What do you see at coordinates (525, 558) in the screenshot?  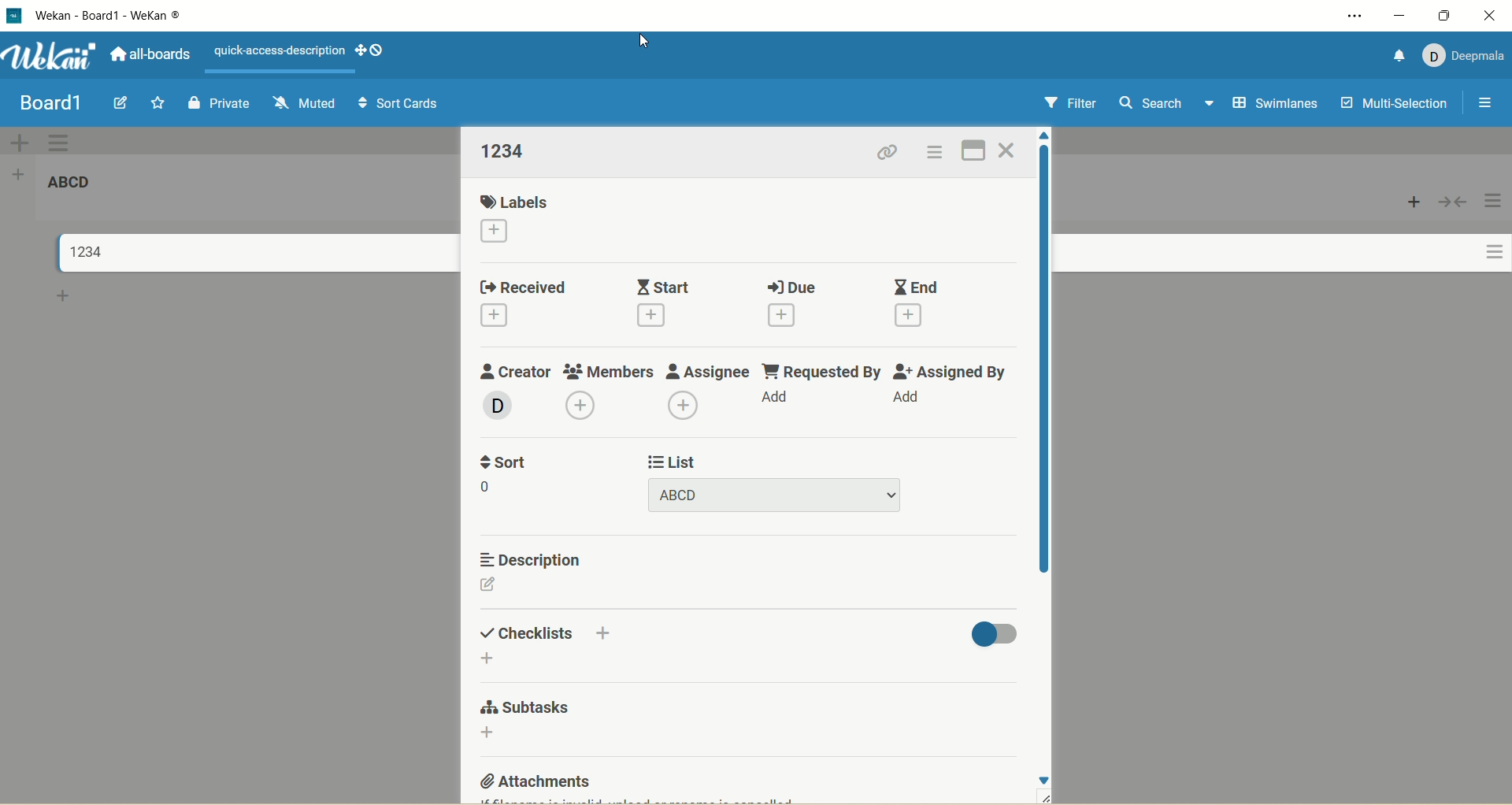 I see `description` at bounding box center [525, 558].